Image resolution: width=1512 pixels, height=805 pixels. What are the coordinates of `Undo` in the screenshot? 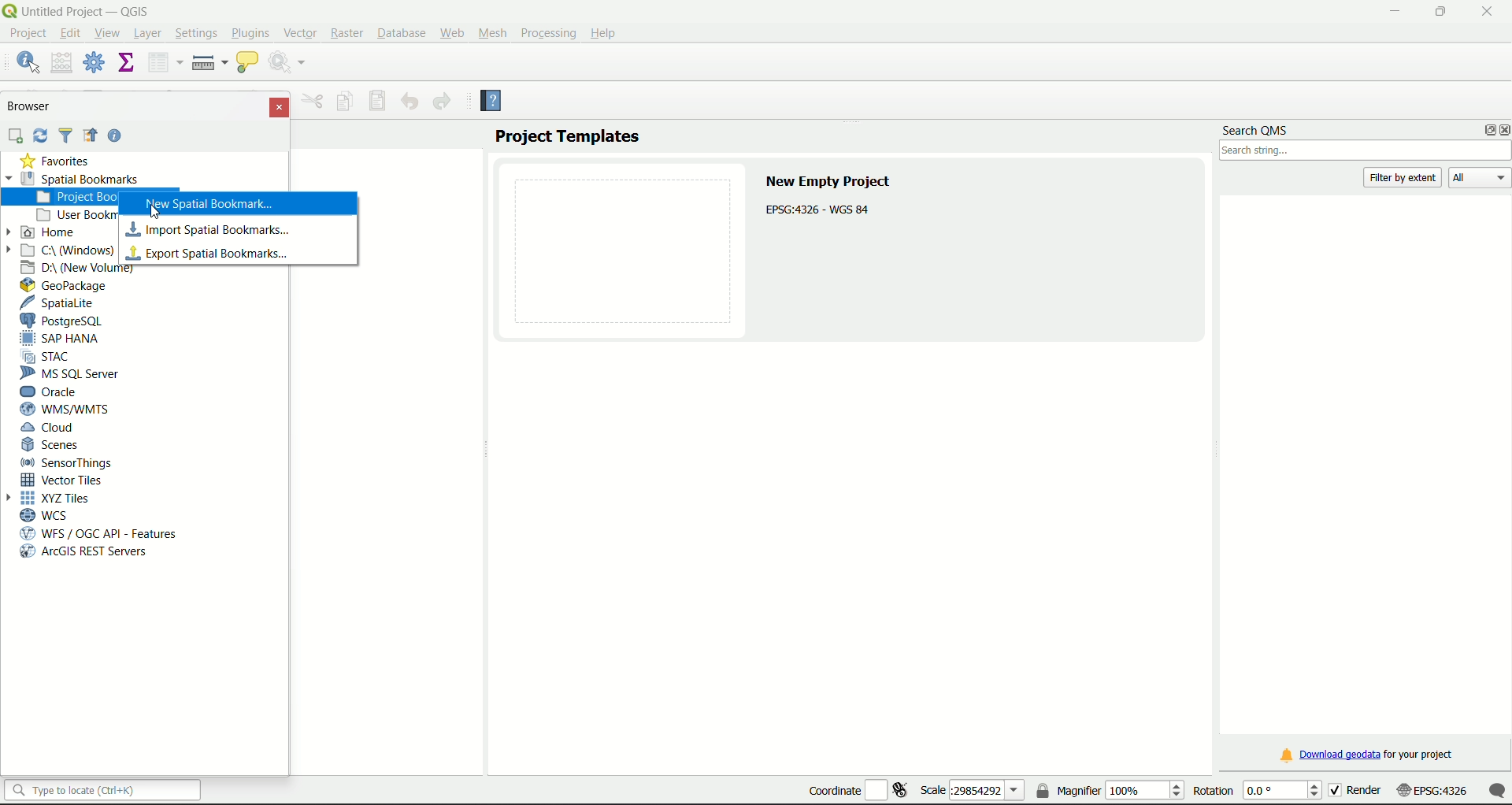 It's located at (409, 101).